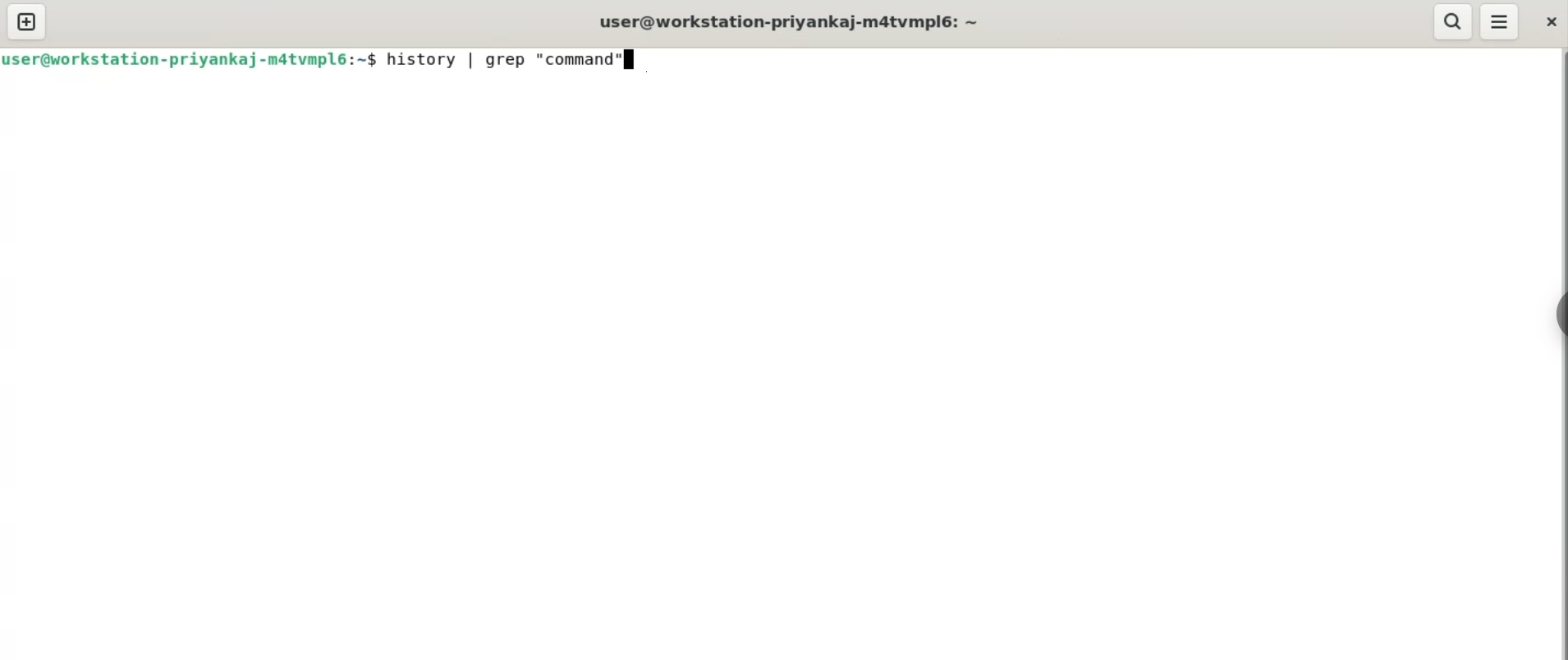  What do you see at coordinates (26, 20) in the screenshot?
I see `new tab` at bounding box center [26, 20].